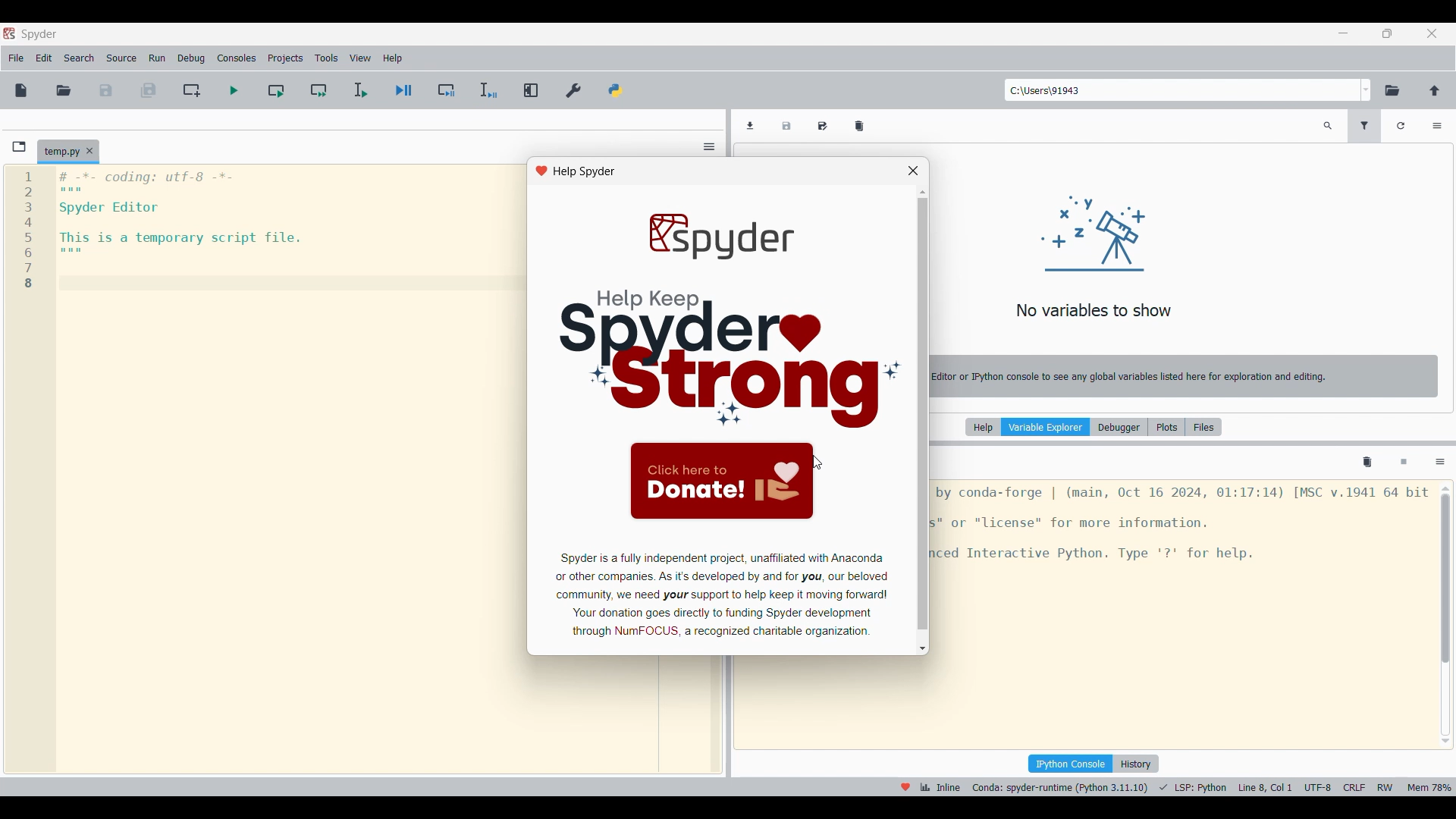  What do you see at coordinates (859, 126) in the screenshot?
I see `Remove all variables` at bounding box center [859, 126].